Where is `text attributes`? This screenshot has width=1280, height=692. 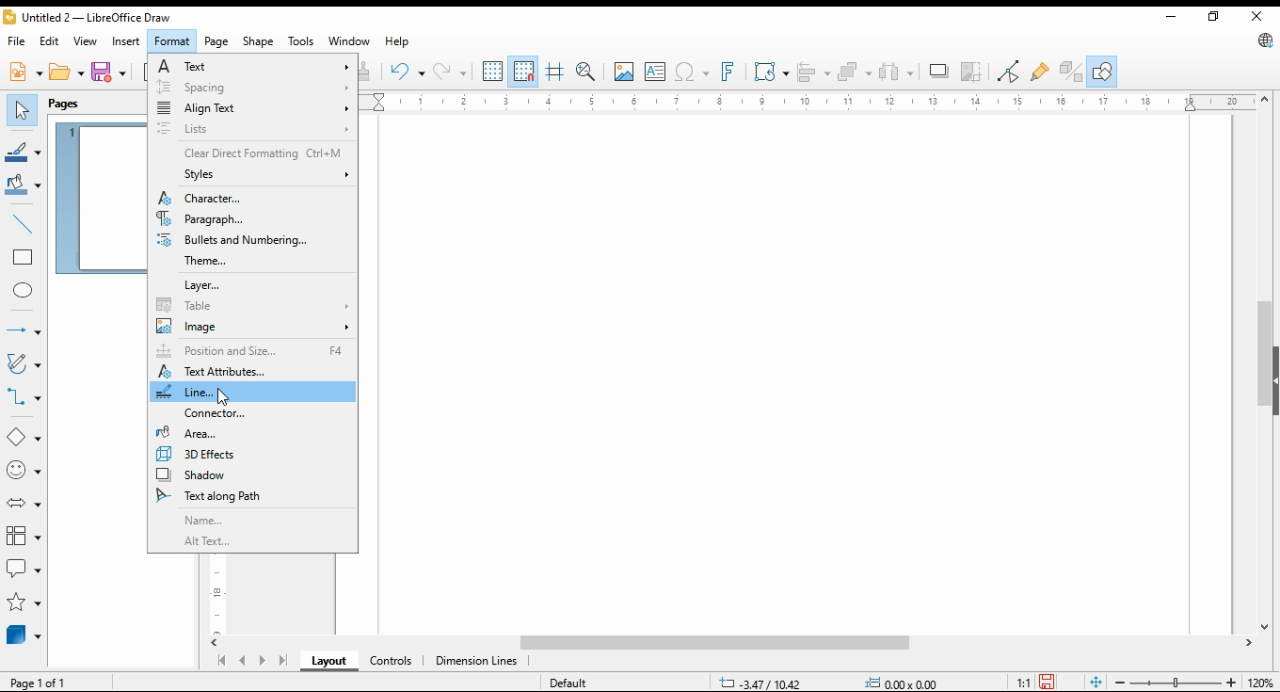
text attributes is located at coordinates (252, 370).